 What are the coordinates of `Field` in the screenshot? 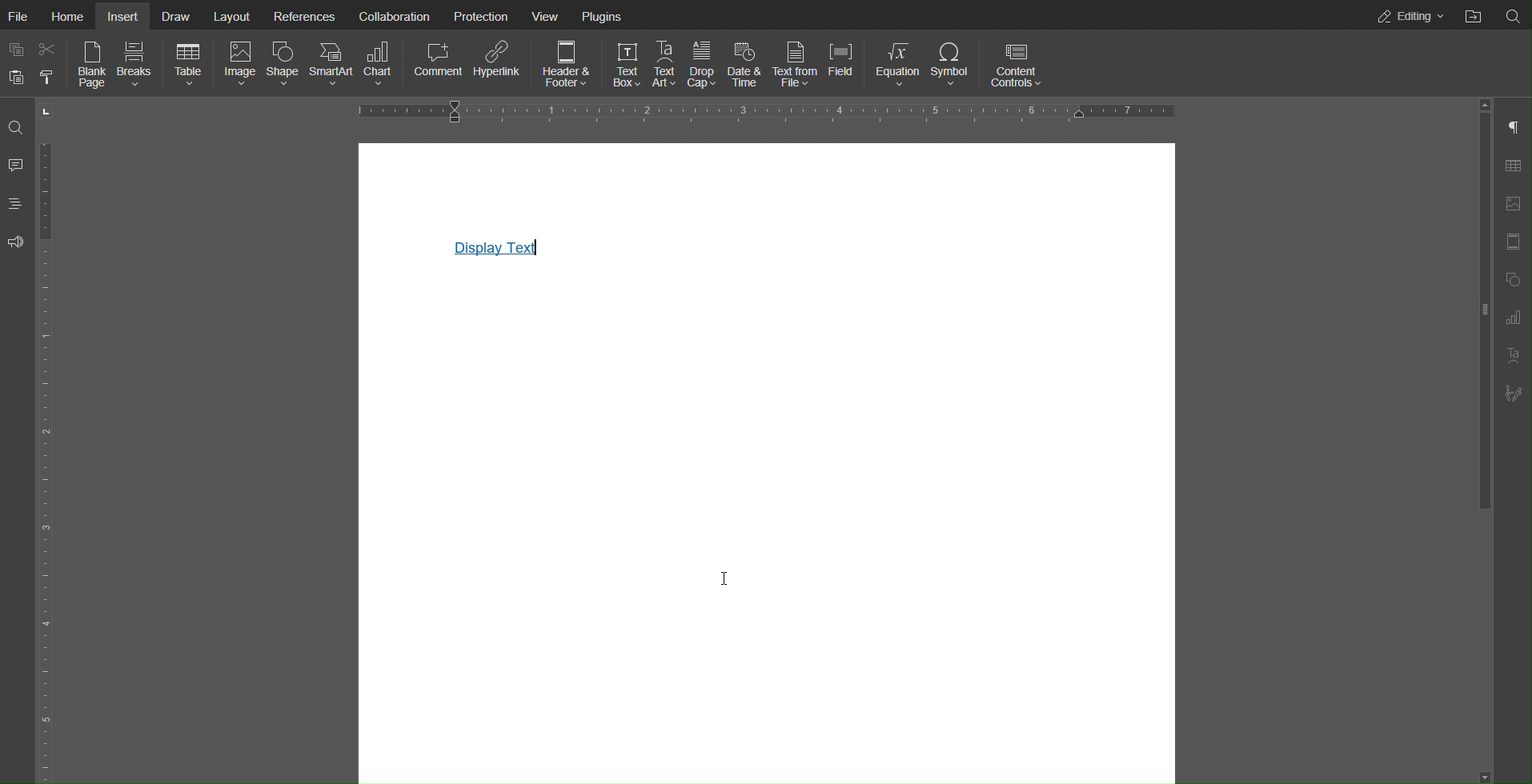 It's located at (846, 65).